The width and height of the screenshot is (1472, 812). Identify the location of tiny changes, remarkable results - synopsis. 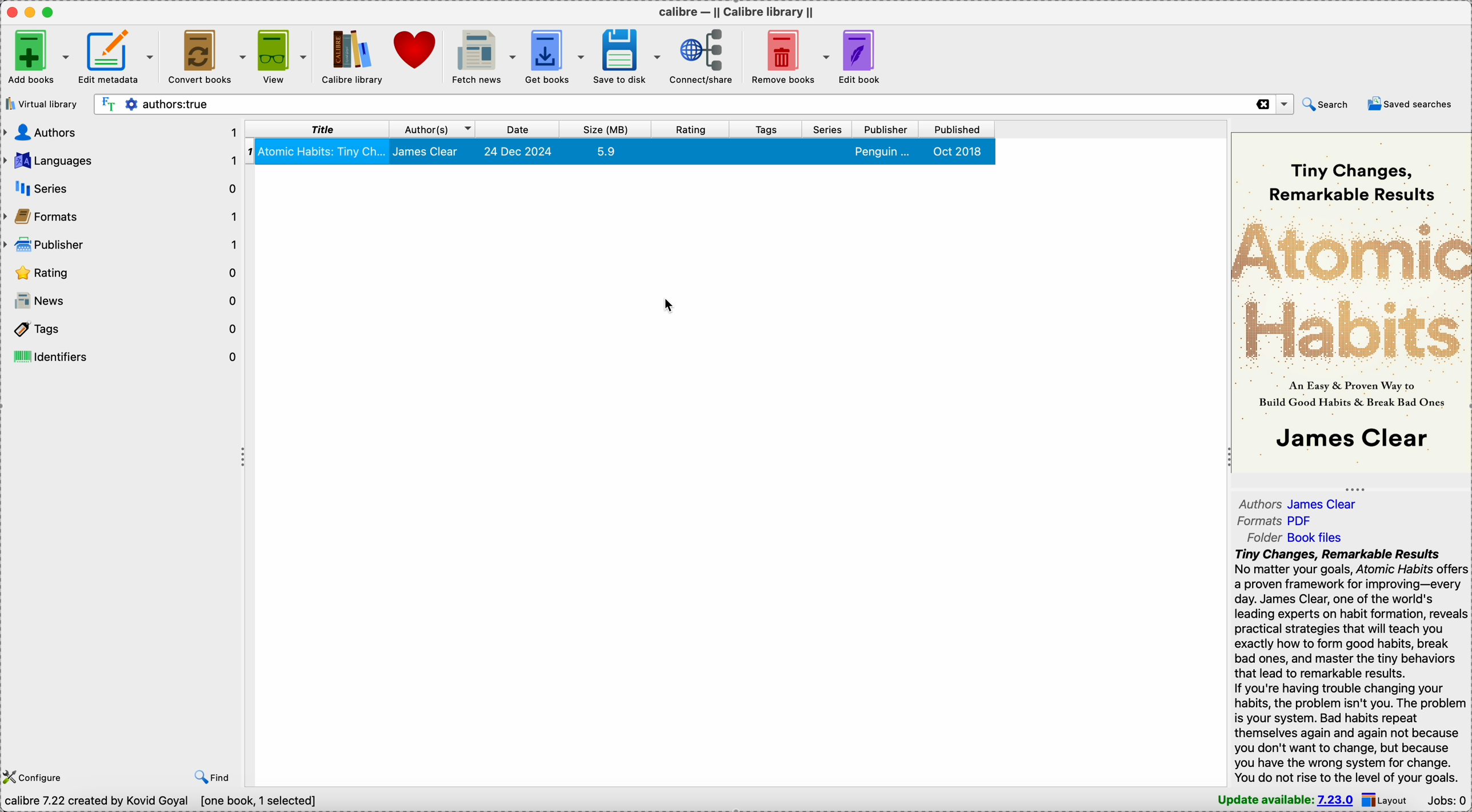
(1350, 666).